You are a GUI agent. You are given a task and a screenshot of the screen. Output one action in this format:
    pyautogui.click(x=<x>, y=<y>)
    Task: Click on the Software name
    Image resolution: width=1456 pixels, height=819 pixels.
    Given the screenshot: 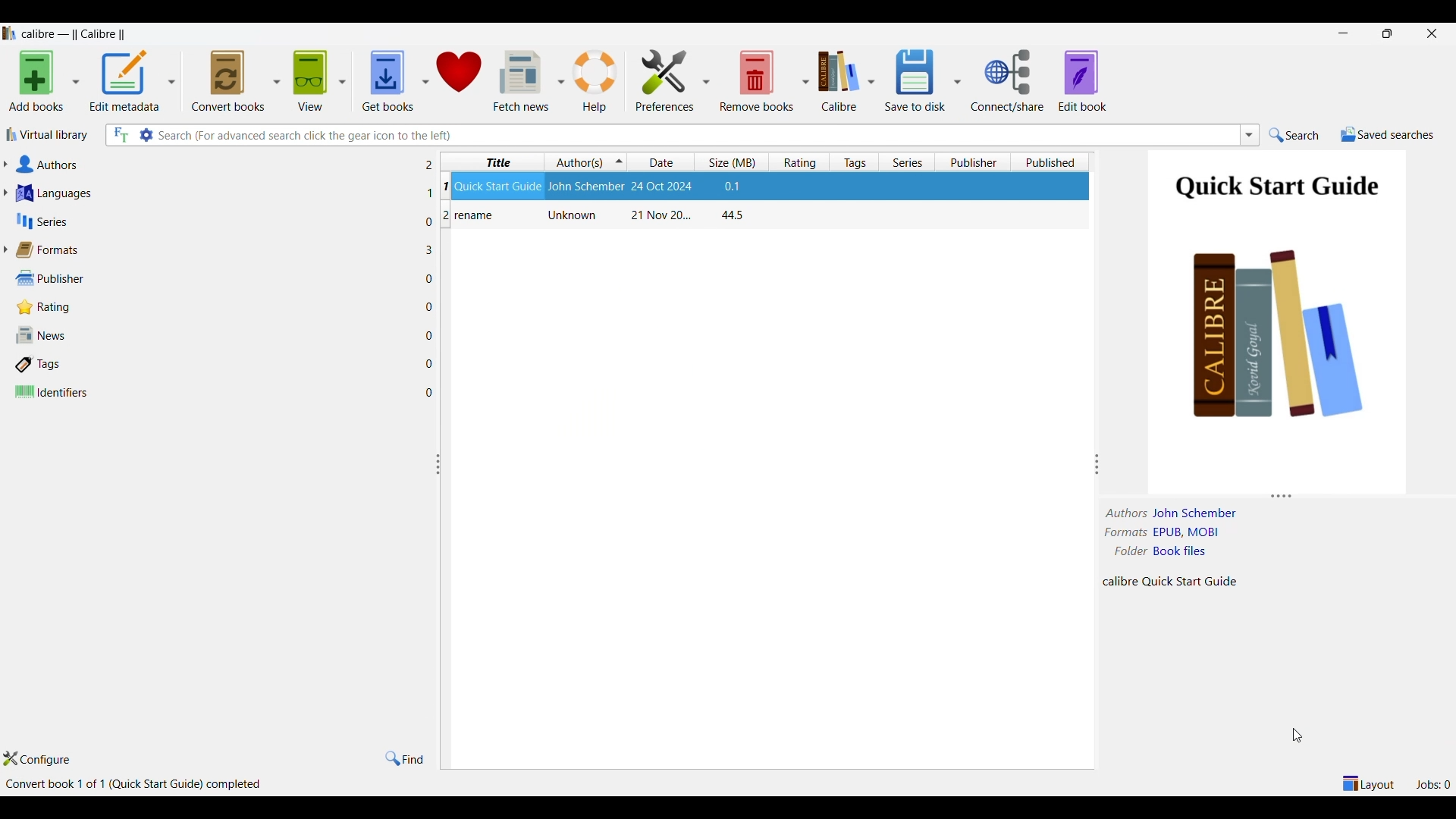 What is the action you would take?
    pyautogui.click(x=77, y=34)
    